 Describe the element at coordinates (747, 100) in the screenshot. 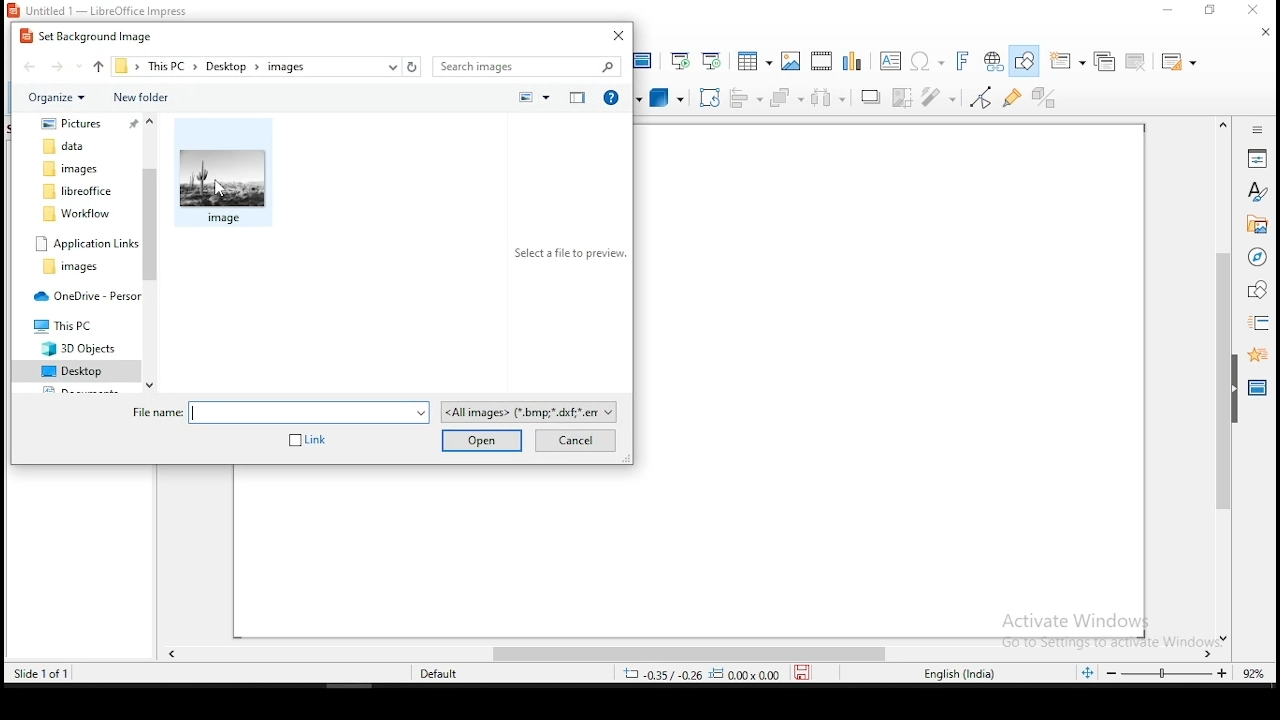

I see `align objects` at that location.